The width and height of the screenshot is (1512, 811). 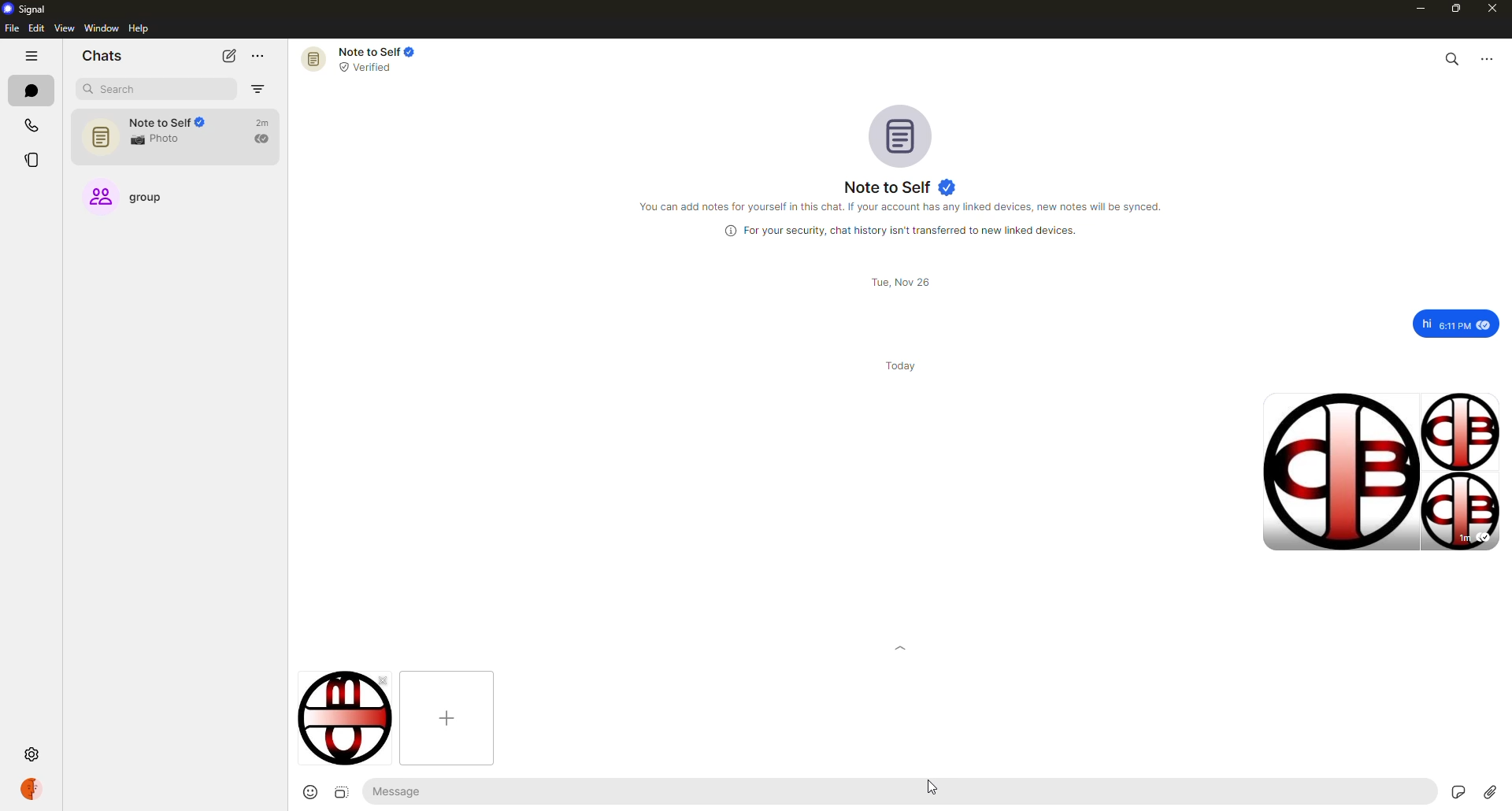 What do you see at coordinates (939, 781) in the screenshot?
I see `cursor` at bounding box center [939, 781].